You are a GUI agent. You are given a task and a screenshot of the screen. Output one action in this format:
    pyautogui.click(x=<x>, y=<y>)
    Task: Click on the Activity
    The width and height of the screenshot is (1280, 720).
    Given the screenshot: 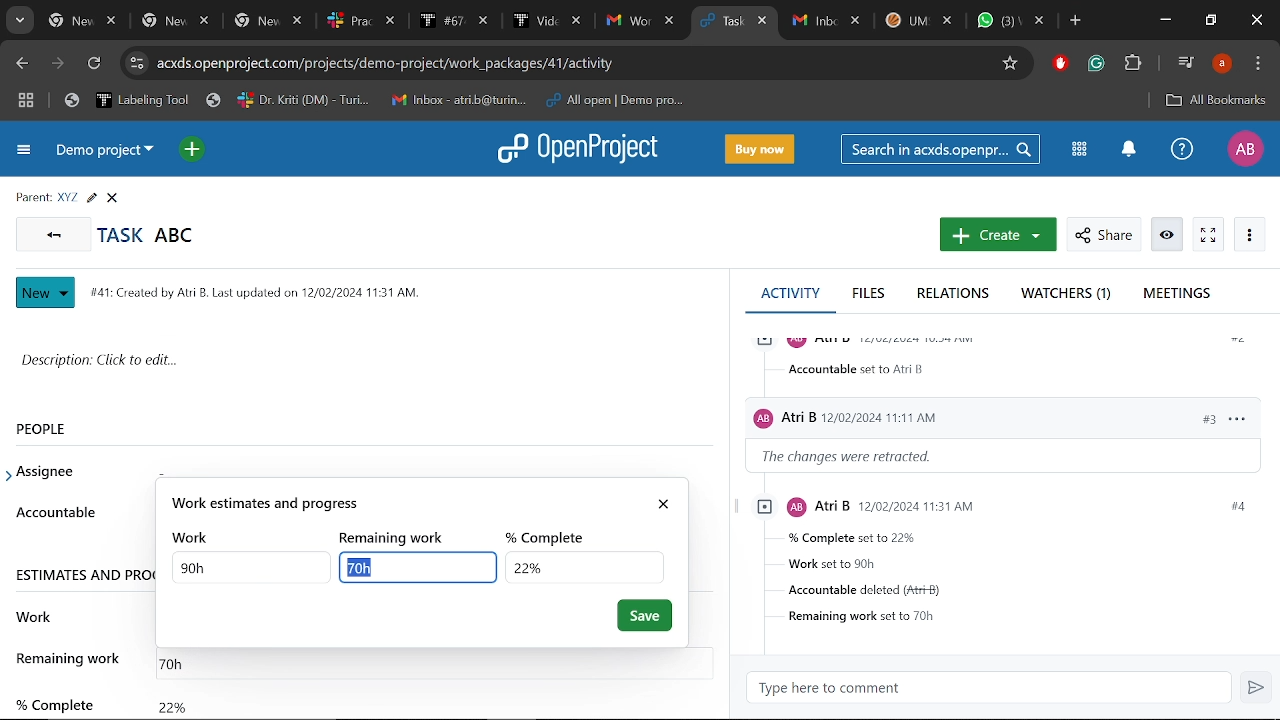 What is the action you would take?
    pyautogui.click(x=790, y=292)
    